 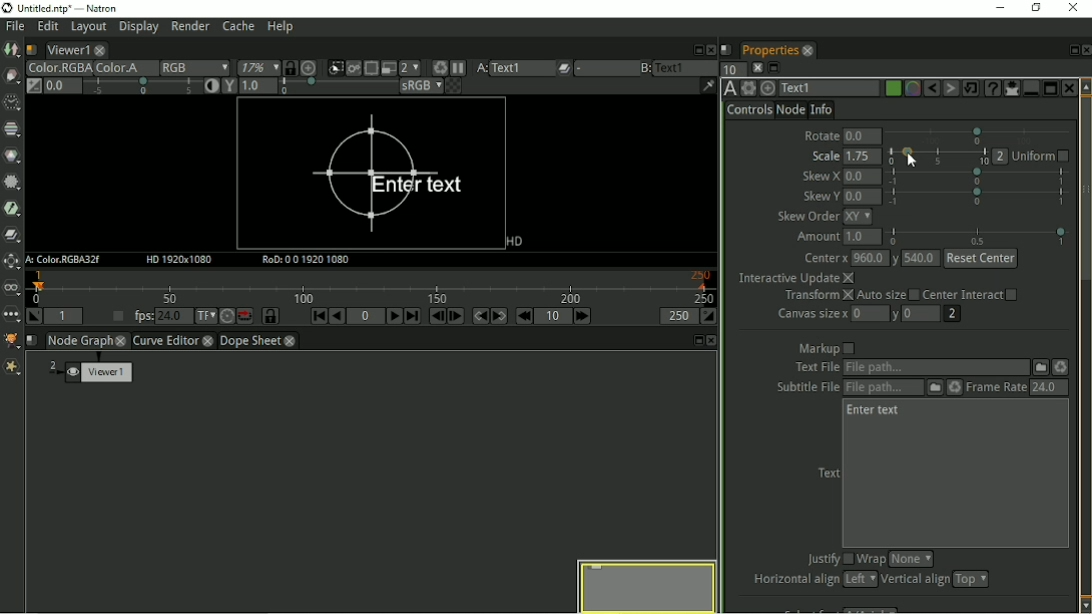 I want to click on Render, so click(x=190, y=27).